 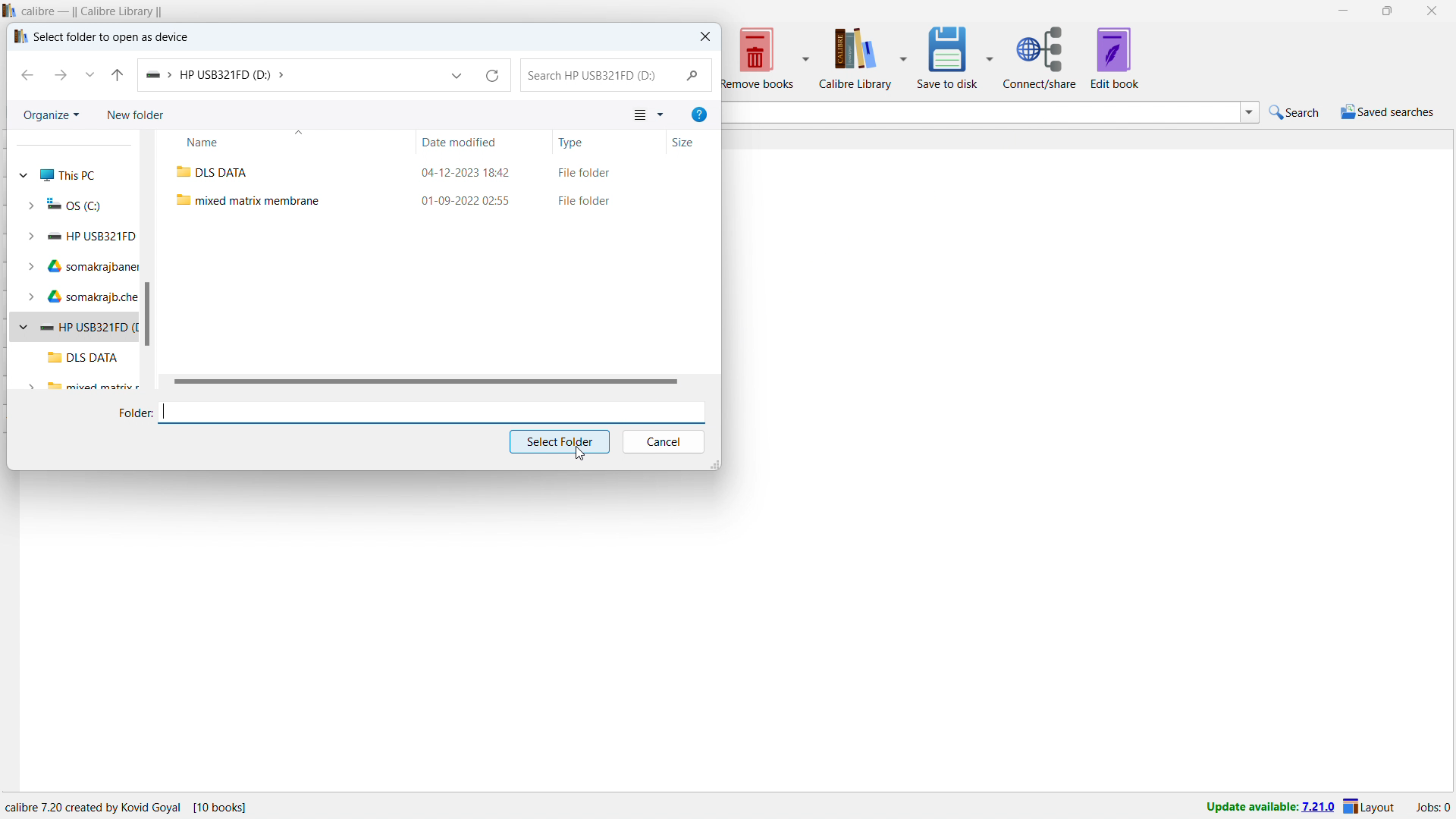 I want to click on quick search, so click(x=1294, y=112).